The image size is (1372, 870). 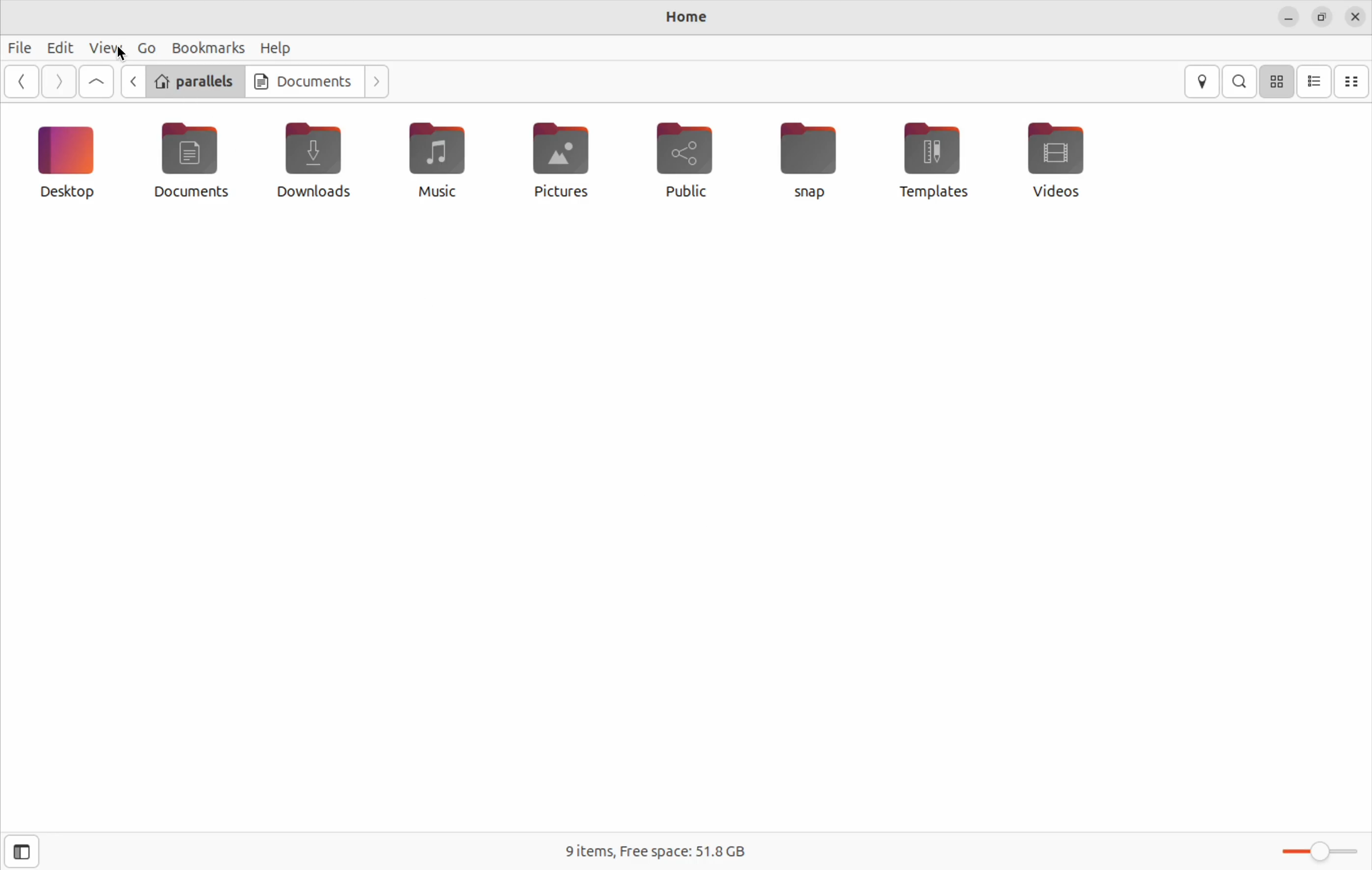 I want to click on pictures, so click(x=565, y=158).